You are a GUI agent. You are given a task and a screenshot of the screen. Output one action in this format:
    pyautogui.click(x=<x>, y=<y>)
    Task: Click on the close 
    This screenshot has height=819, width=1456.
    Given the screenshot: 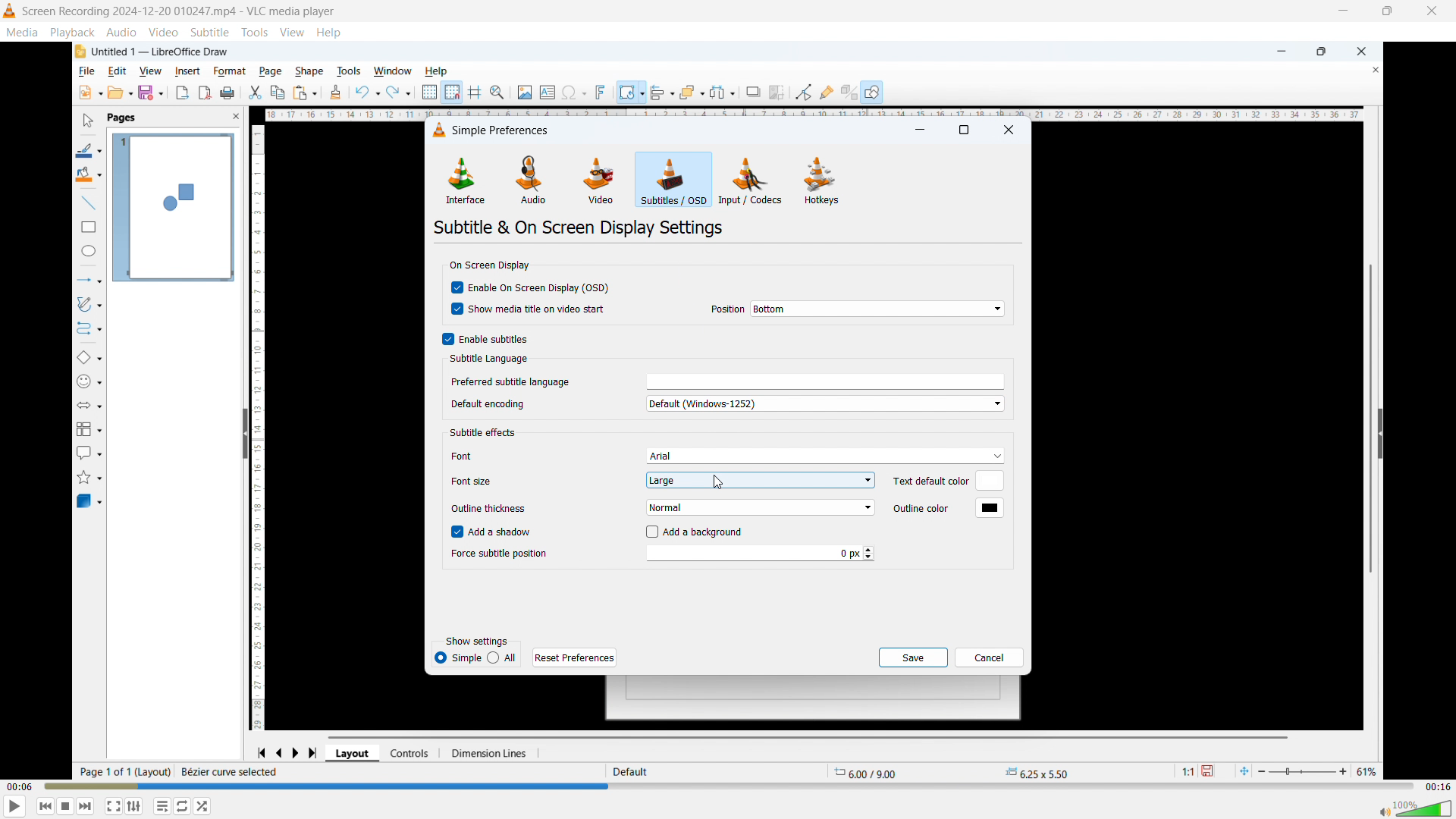 What is the action you would take?
    pyautogui.click(x=1432, y=11)
    